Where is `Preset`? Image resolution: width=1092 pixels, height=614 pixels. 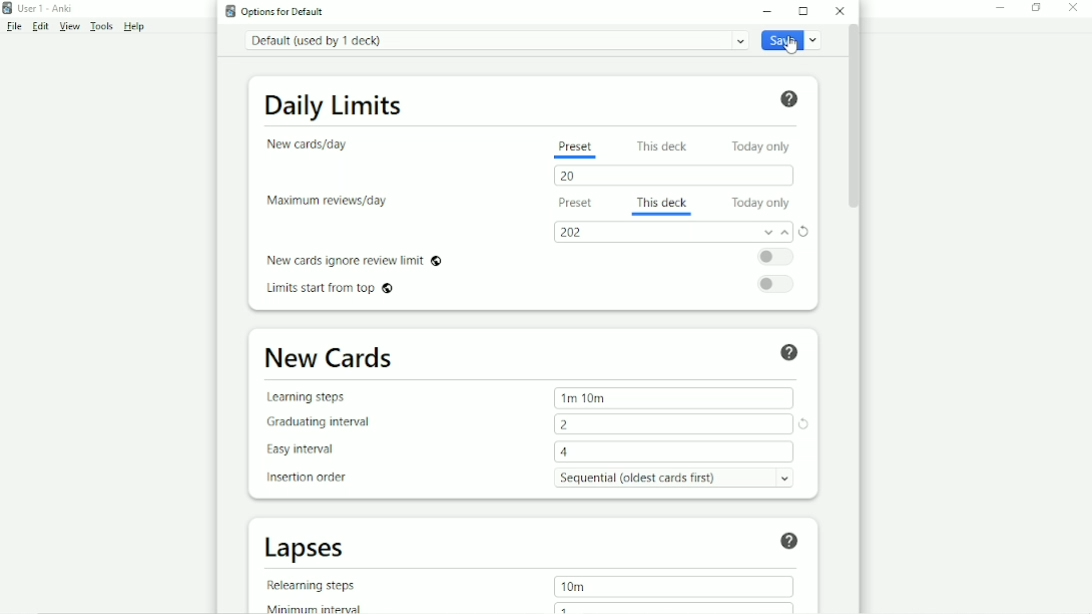
Preset is located at coordinates (573, 205).